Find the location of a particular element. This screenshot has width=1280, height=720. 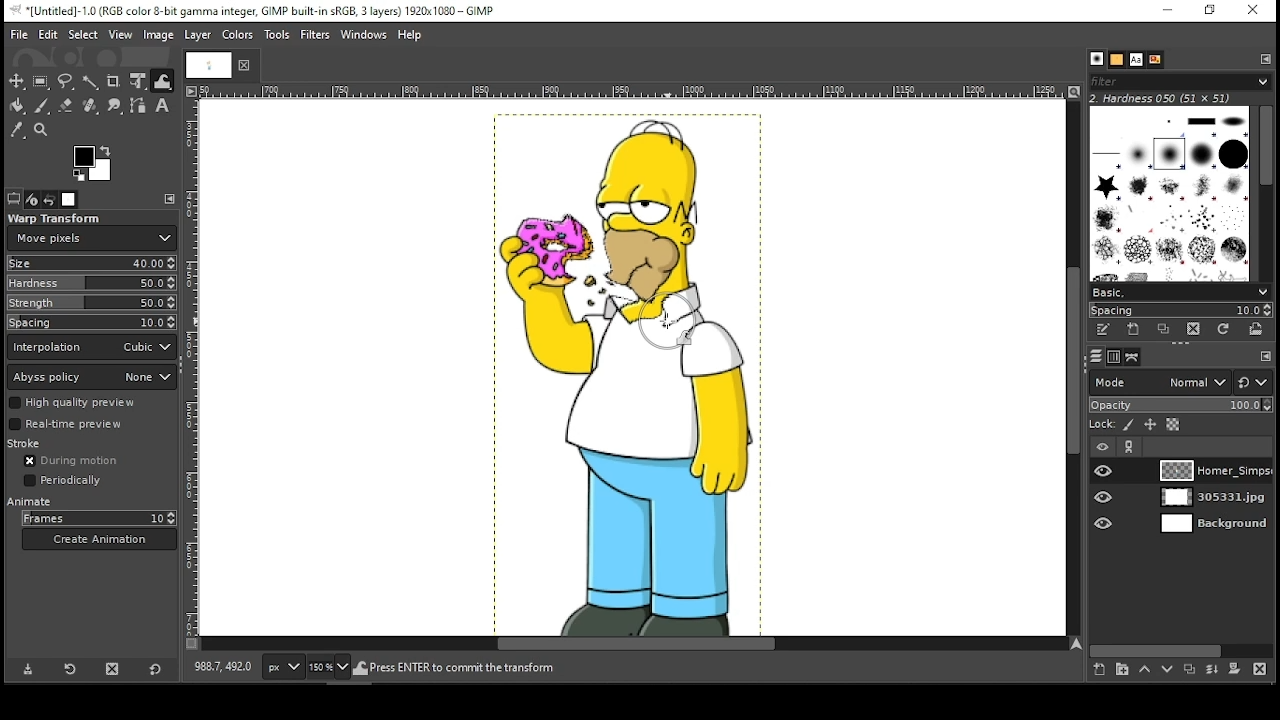

colors is located at coordinates (240, 35).